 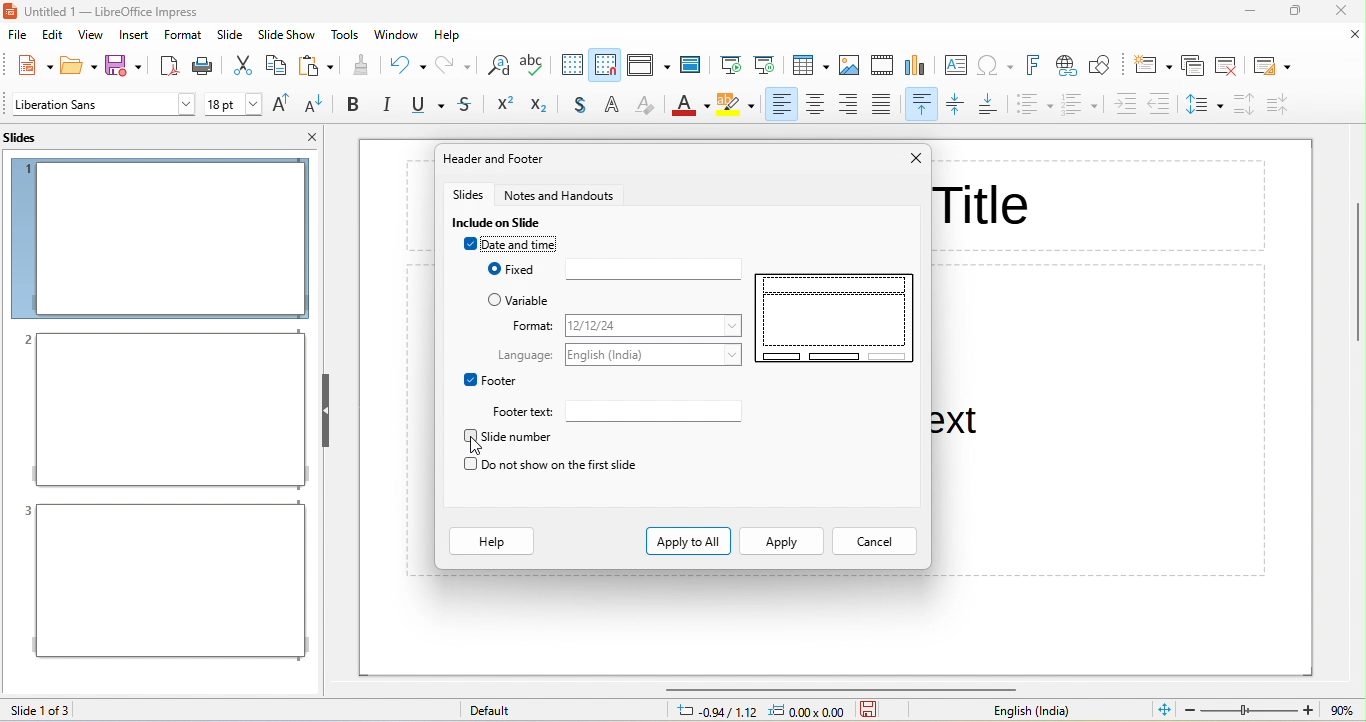 I want to click on help, so click(x=493, y=542).